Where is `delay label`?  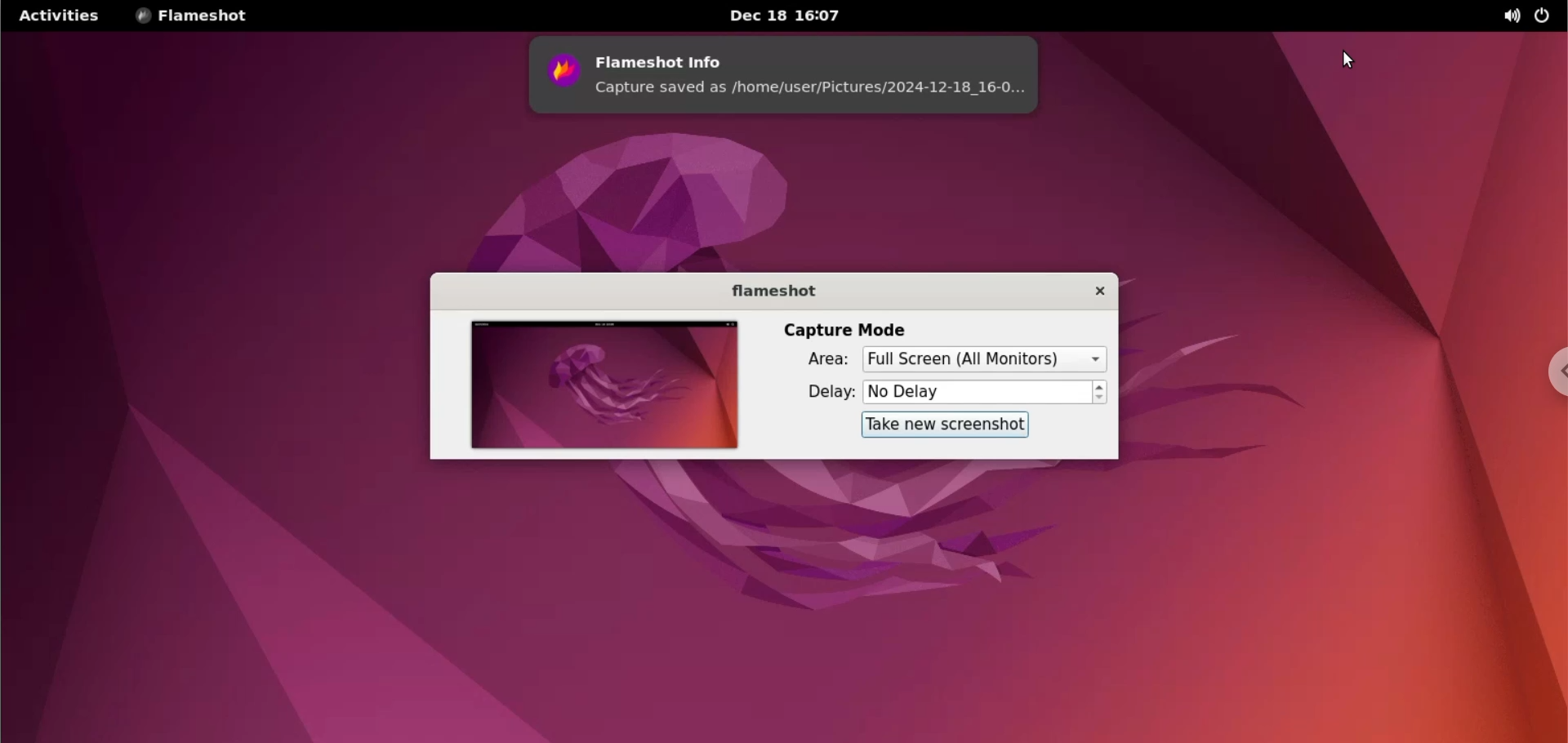 delay label is located at coordinates (829, 393).